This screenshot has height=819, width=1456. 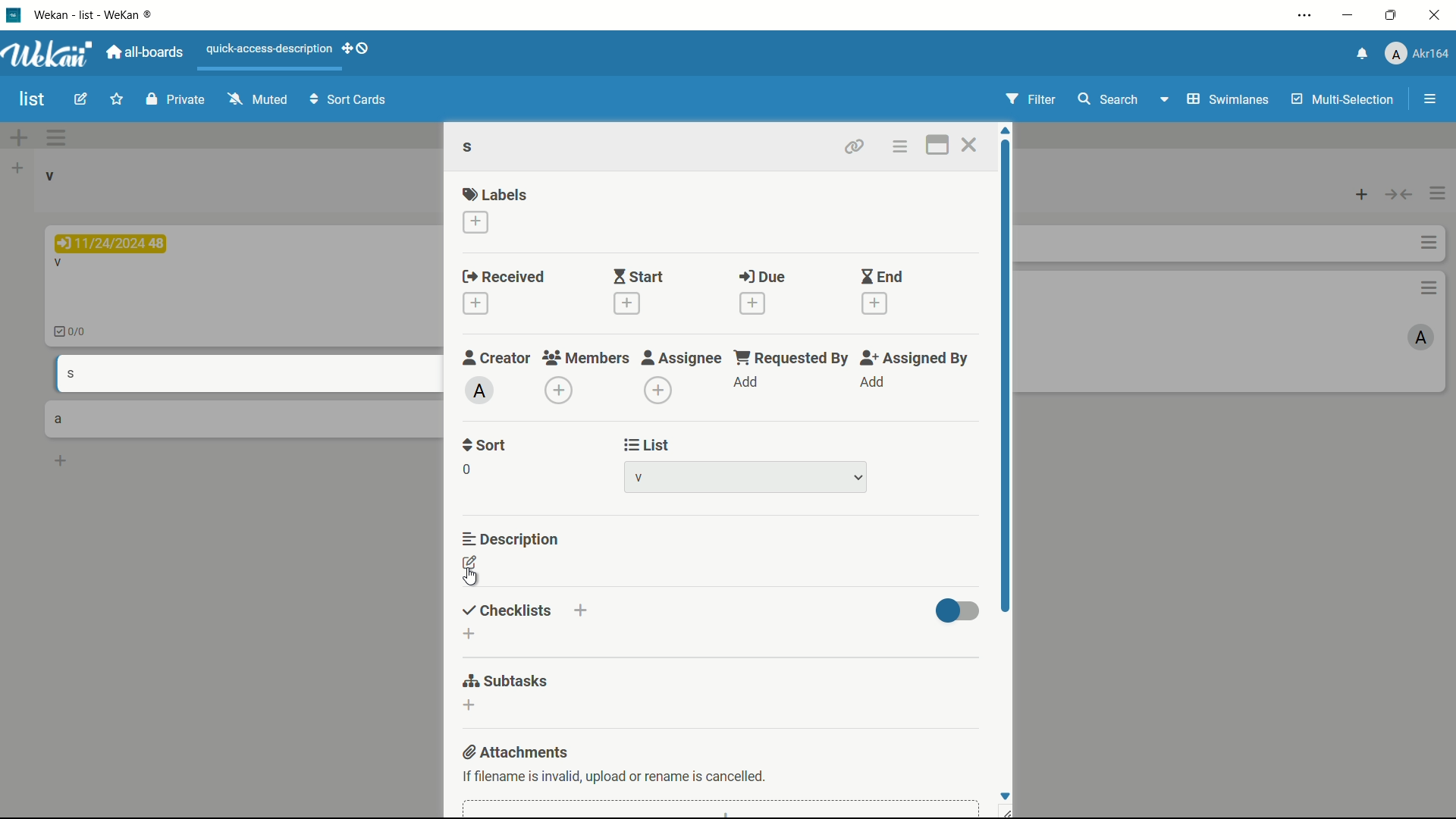 I want to click on search, so click(x=1109, y=99).